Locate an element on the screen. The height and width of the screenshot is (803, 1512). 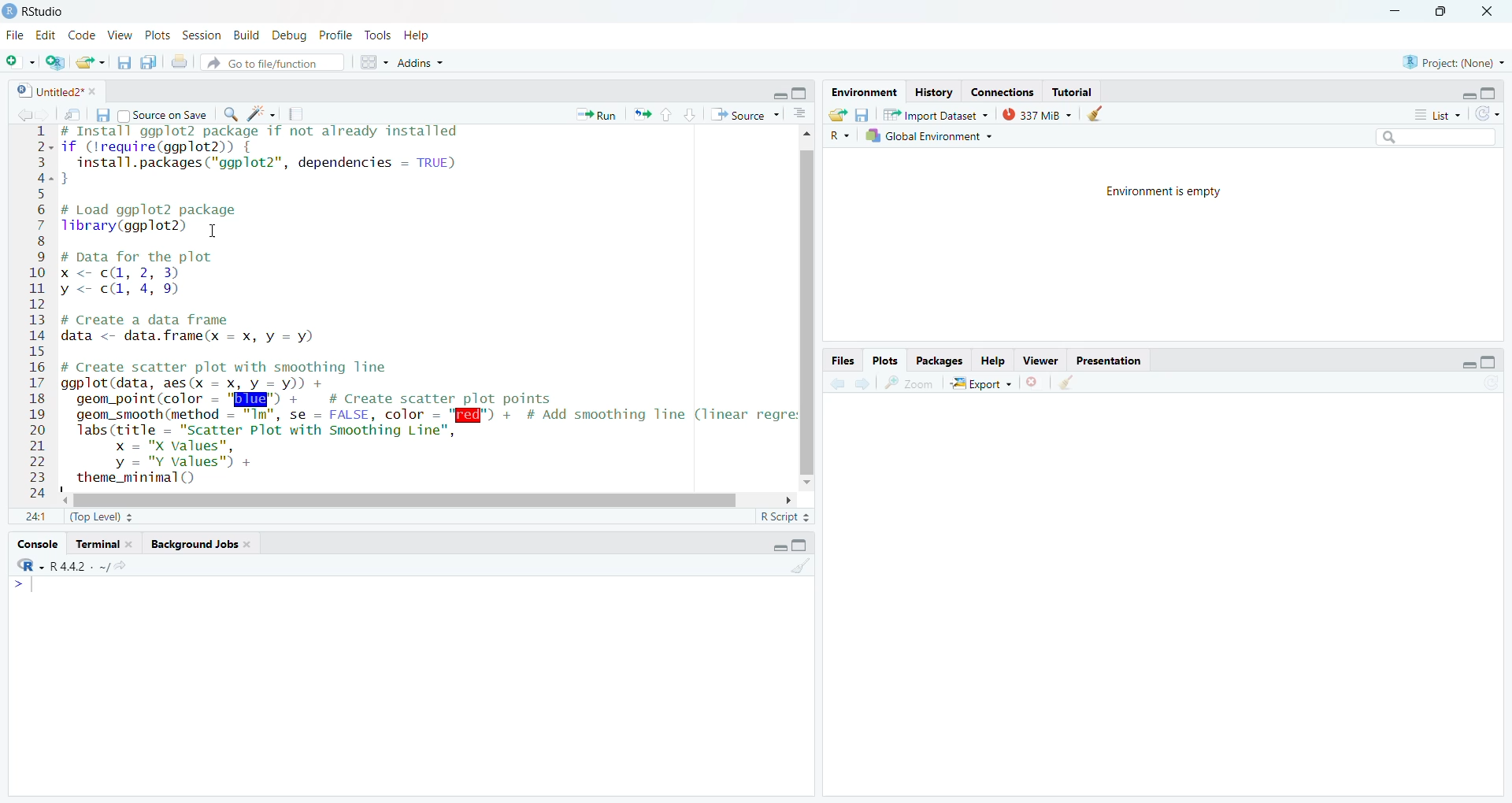
hide r script is located at coordinates (1462, 364).